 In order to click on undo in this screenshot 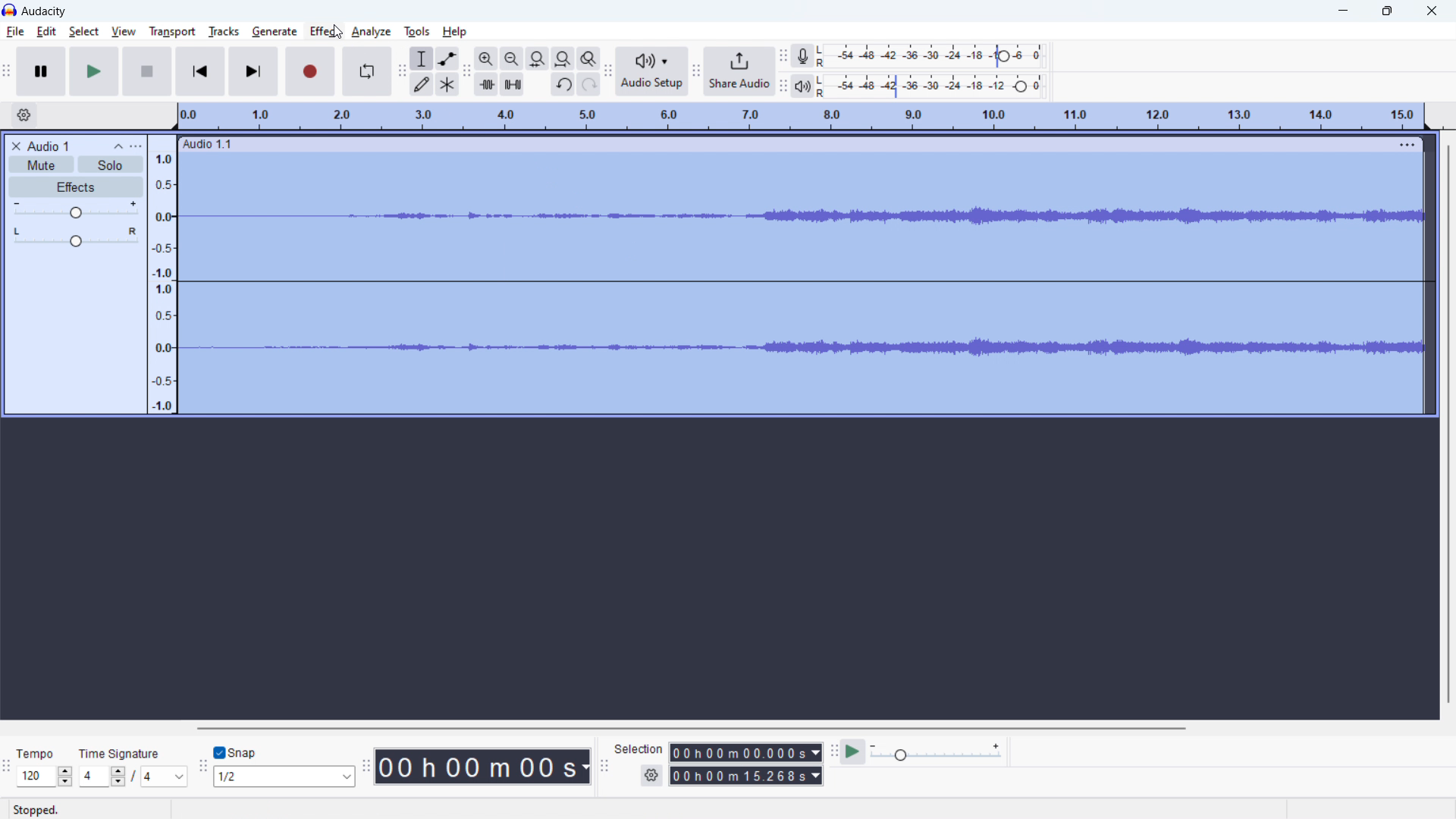, I will do `click(562, 85)`.